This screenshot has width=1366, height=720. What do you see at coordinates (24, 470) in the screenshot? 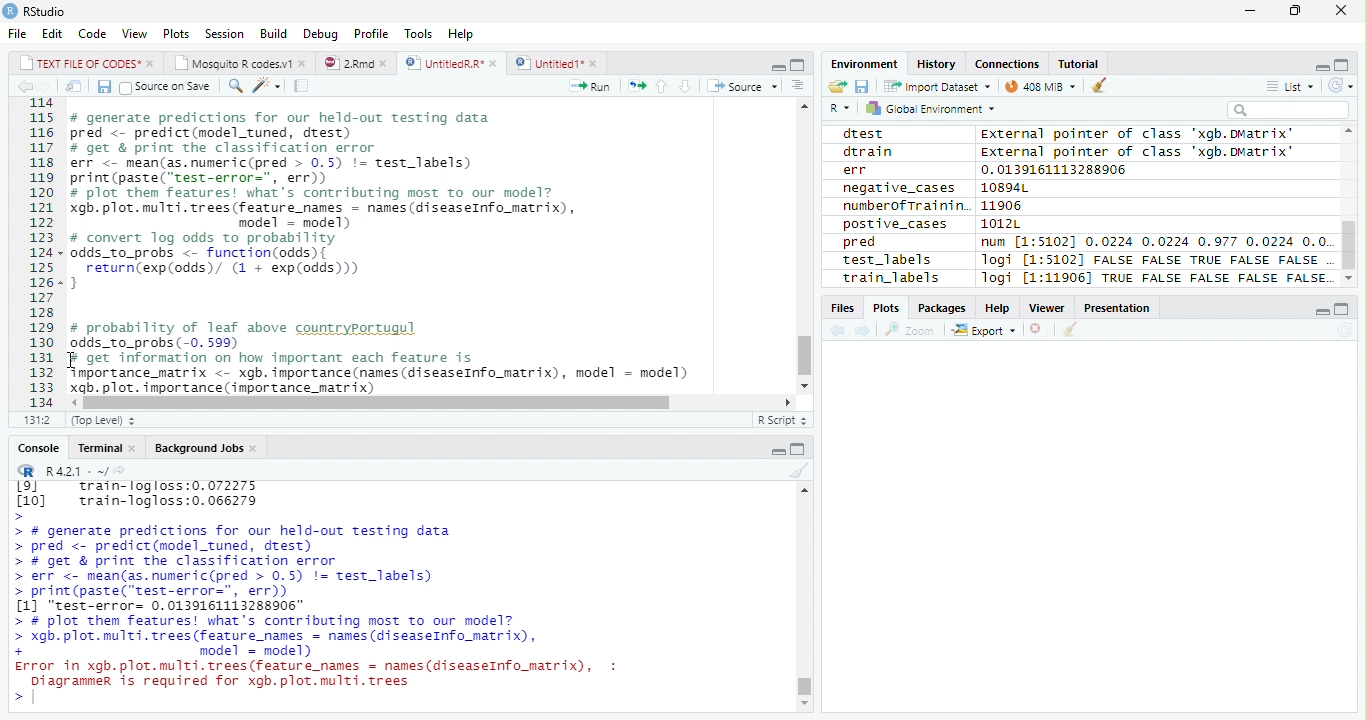
I see `R` at bounding box center [24, 470].